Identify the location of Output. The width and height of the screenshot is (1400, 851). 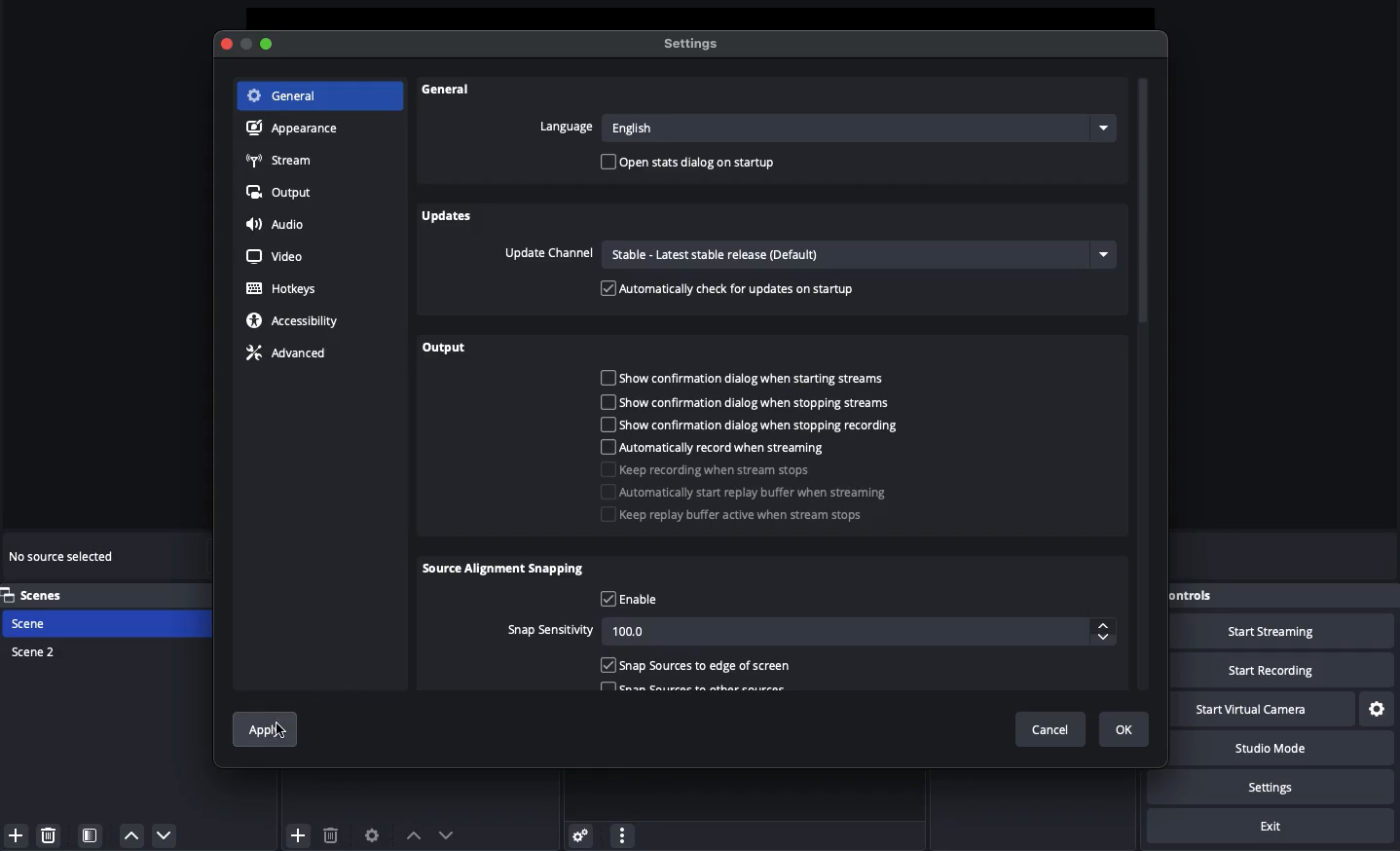
(282, 193).